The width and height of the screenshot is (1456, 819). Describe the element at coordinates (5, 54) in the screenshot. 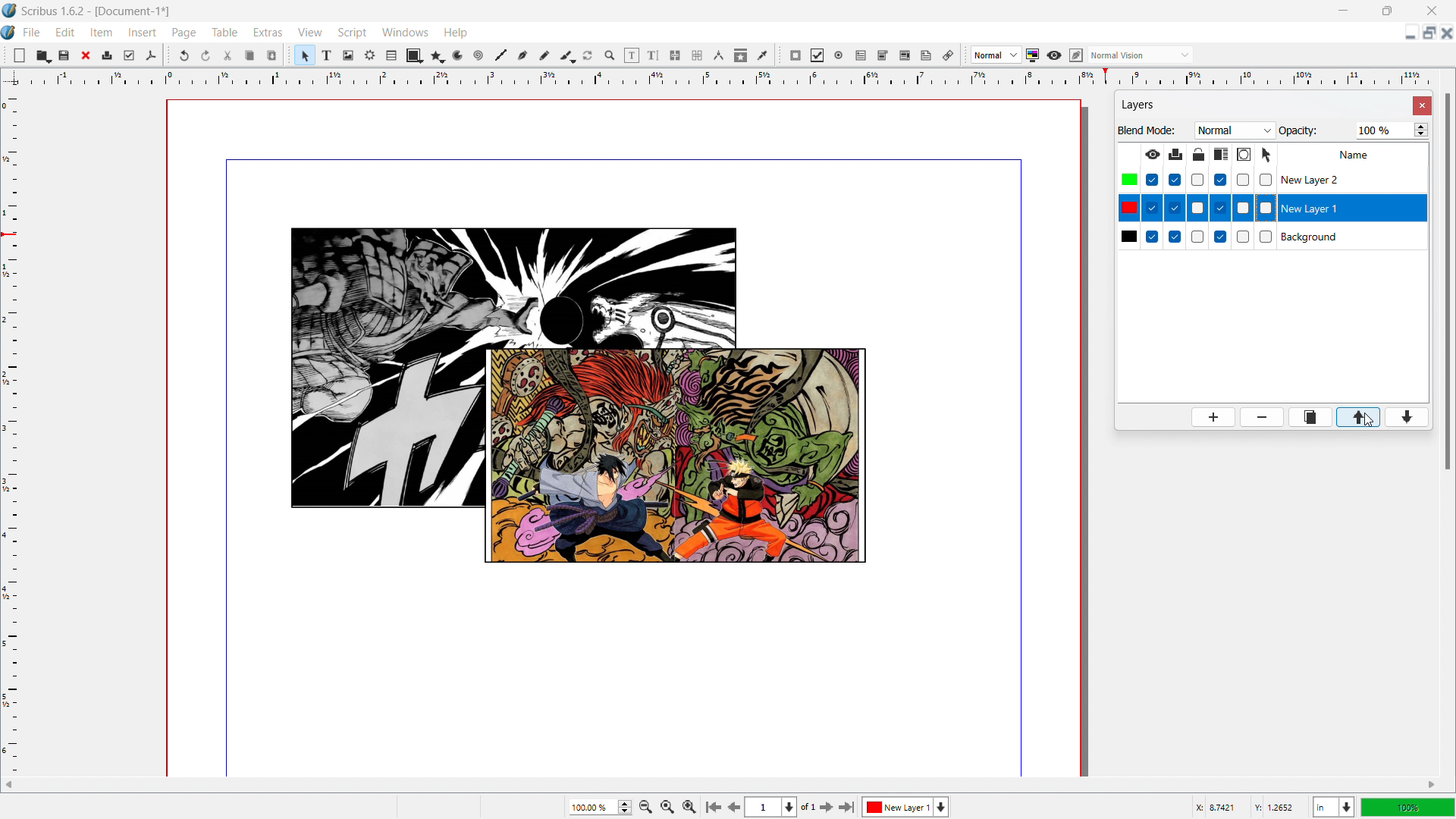

I see `move tools` at that location.